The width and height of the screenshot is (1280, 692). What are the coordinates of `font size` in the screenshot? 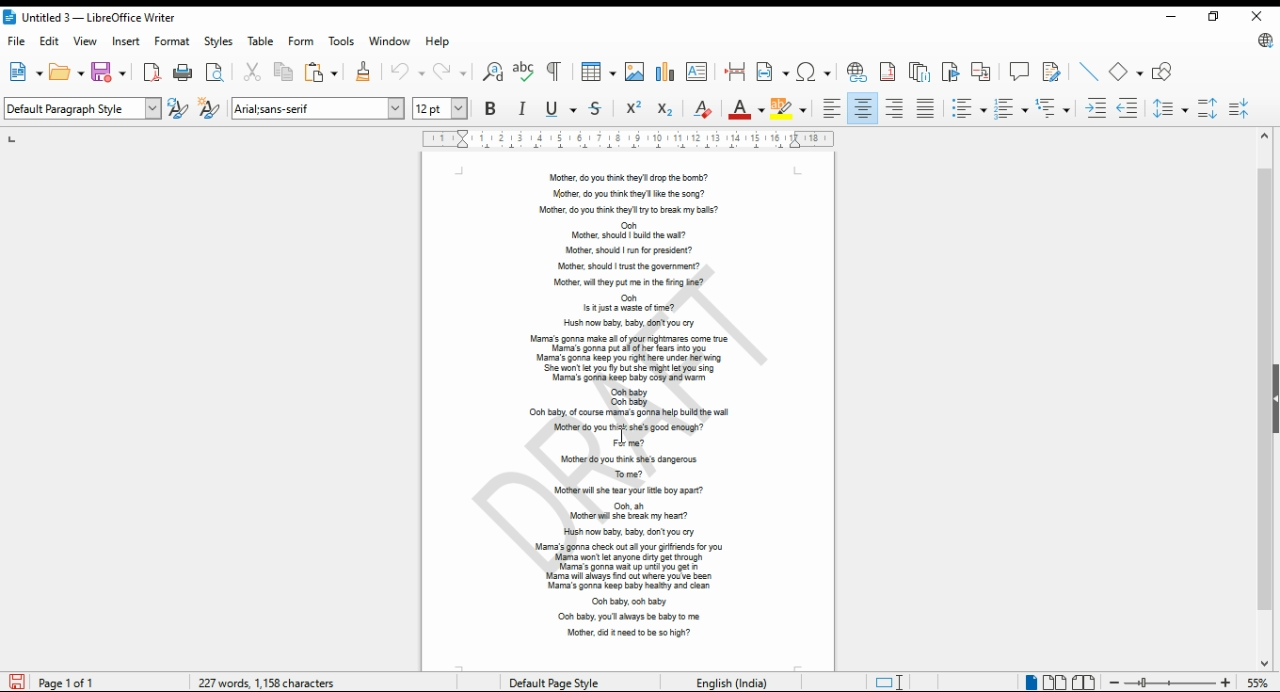 It's located at (442, 108).